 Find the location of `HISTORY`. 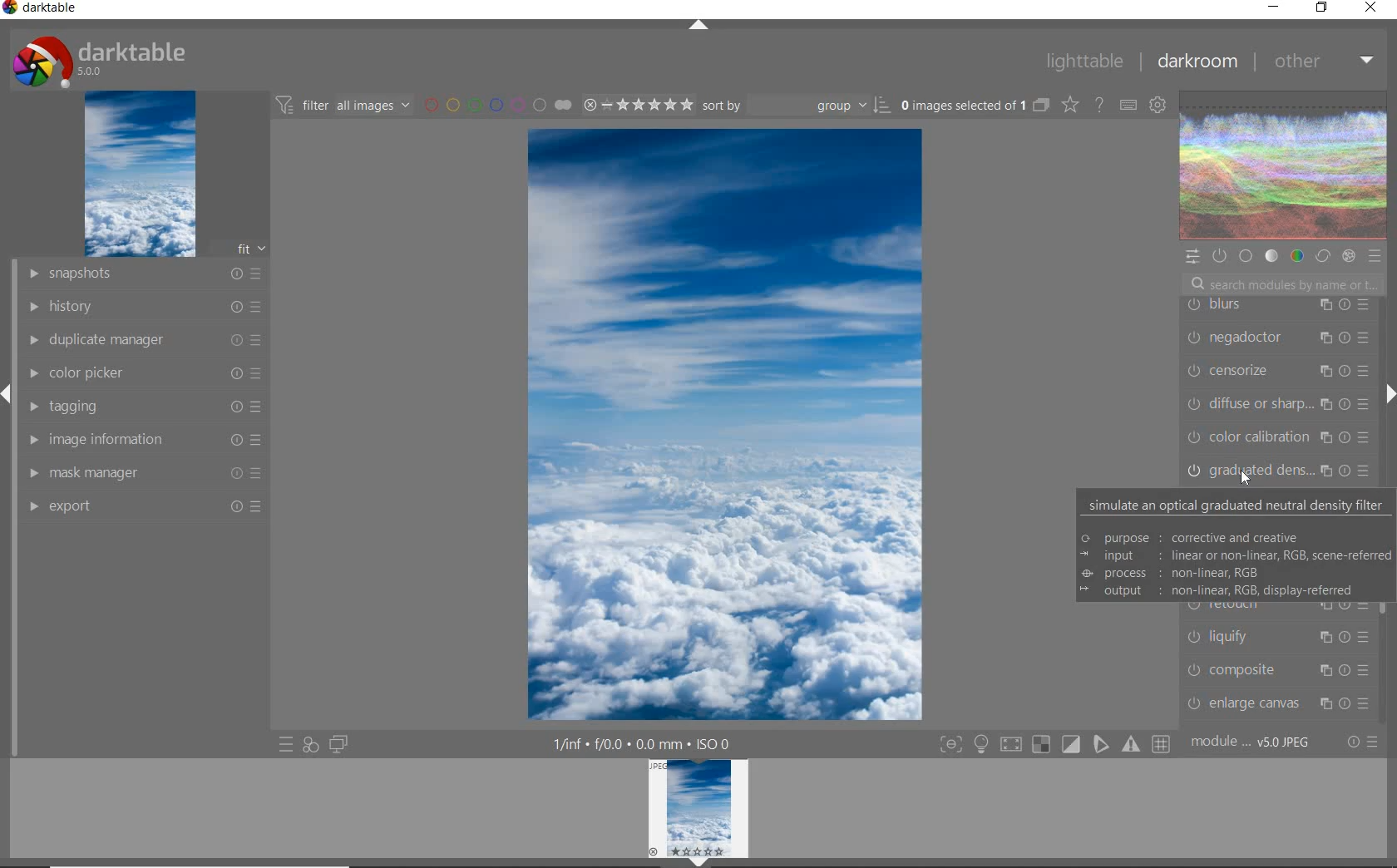

HISTORY is located at coordinates (143, 305).